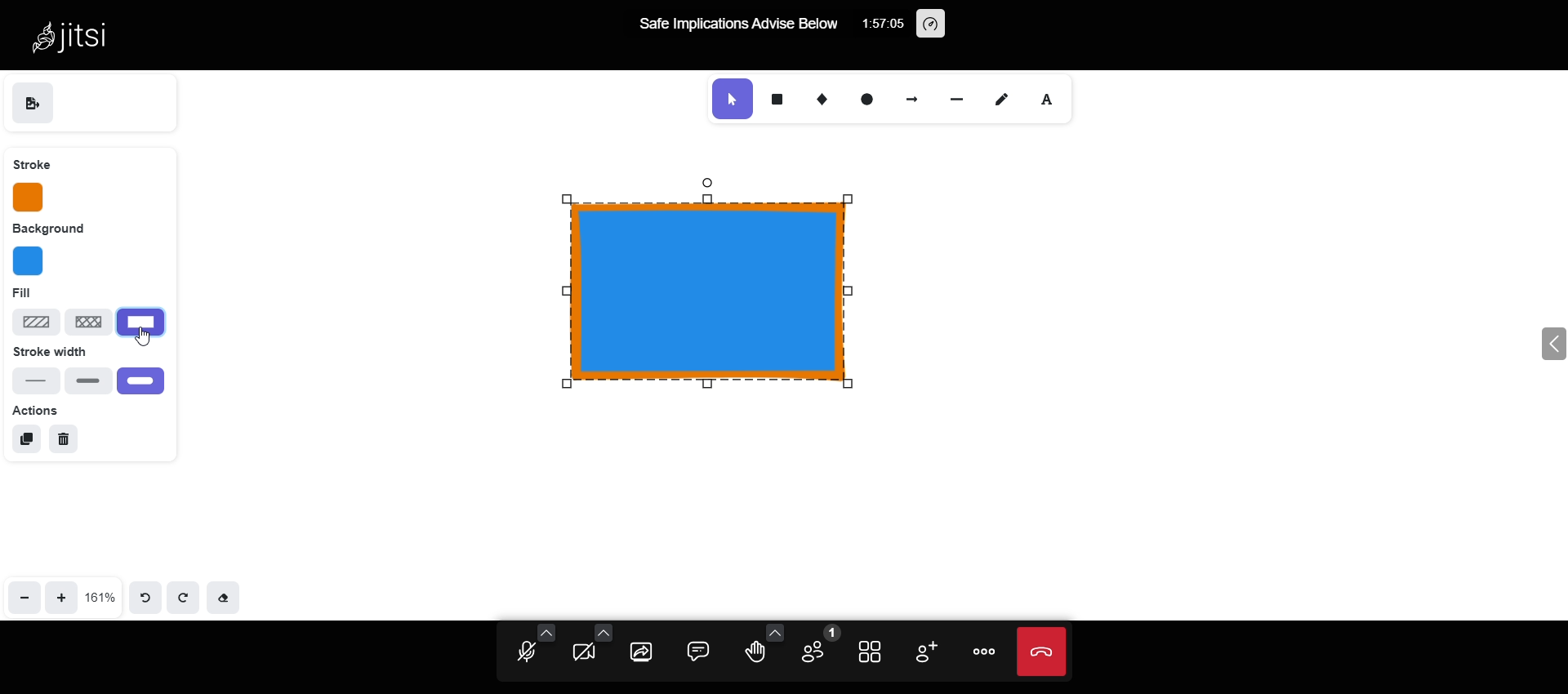 The height and width of the screenshot is (694, 1568). I want to click on Object fill type changed, so click(743, 297).